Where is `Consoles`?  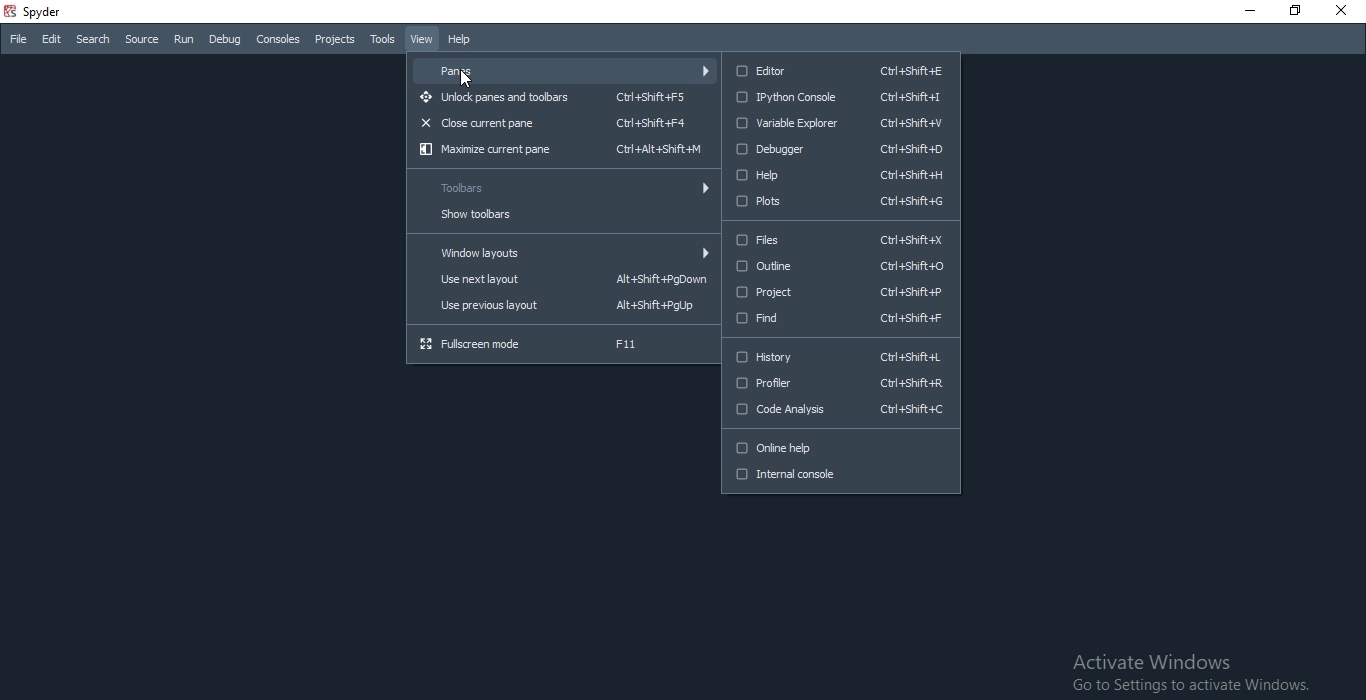 Consoles is located at coordinates (280, 40).